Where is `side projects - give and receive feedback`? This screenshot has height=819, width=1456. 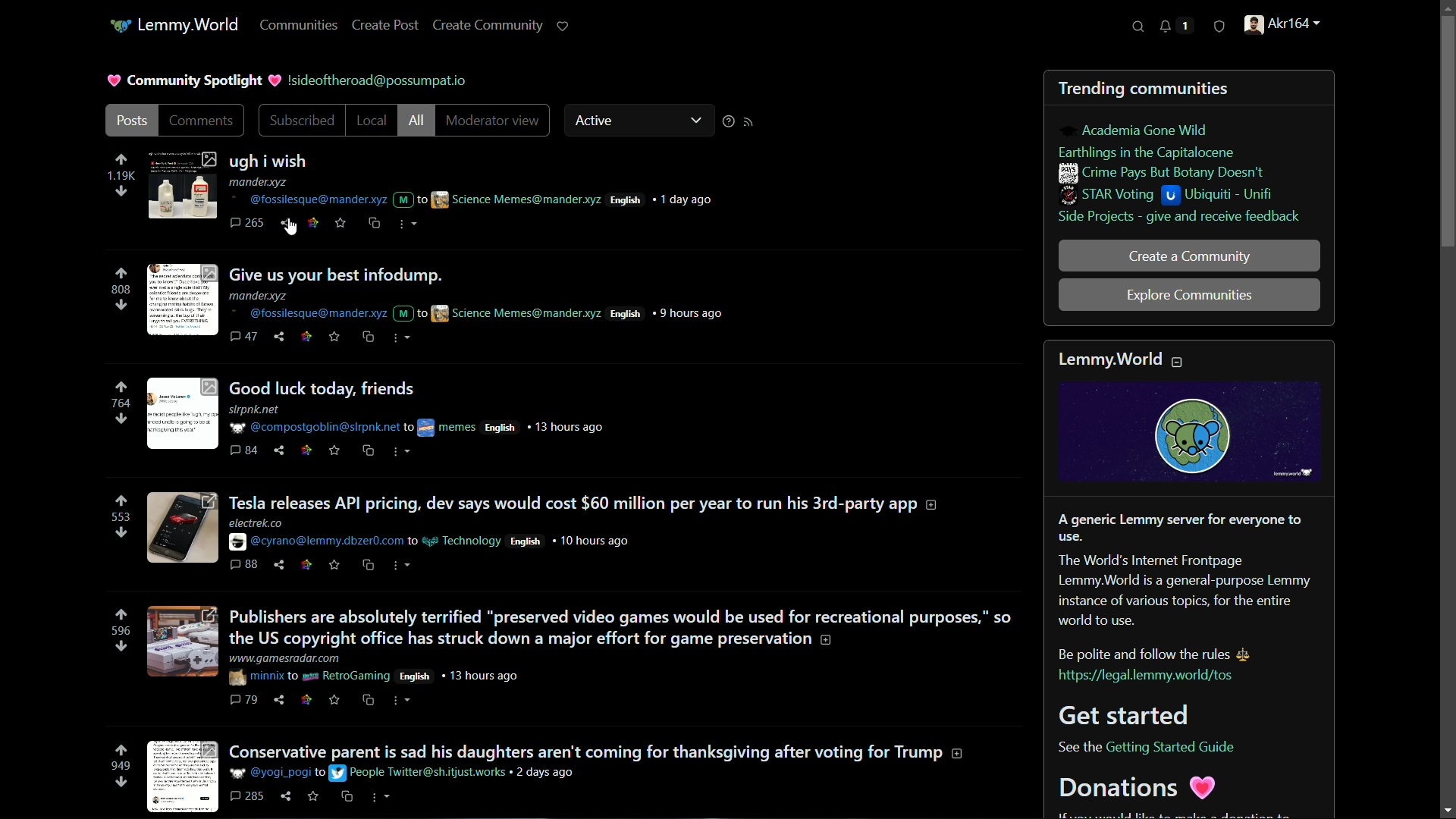
side projects - give and receive feedback is located at coordinates (1179, 218).